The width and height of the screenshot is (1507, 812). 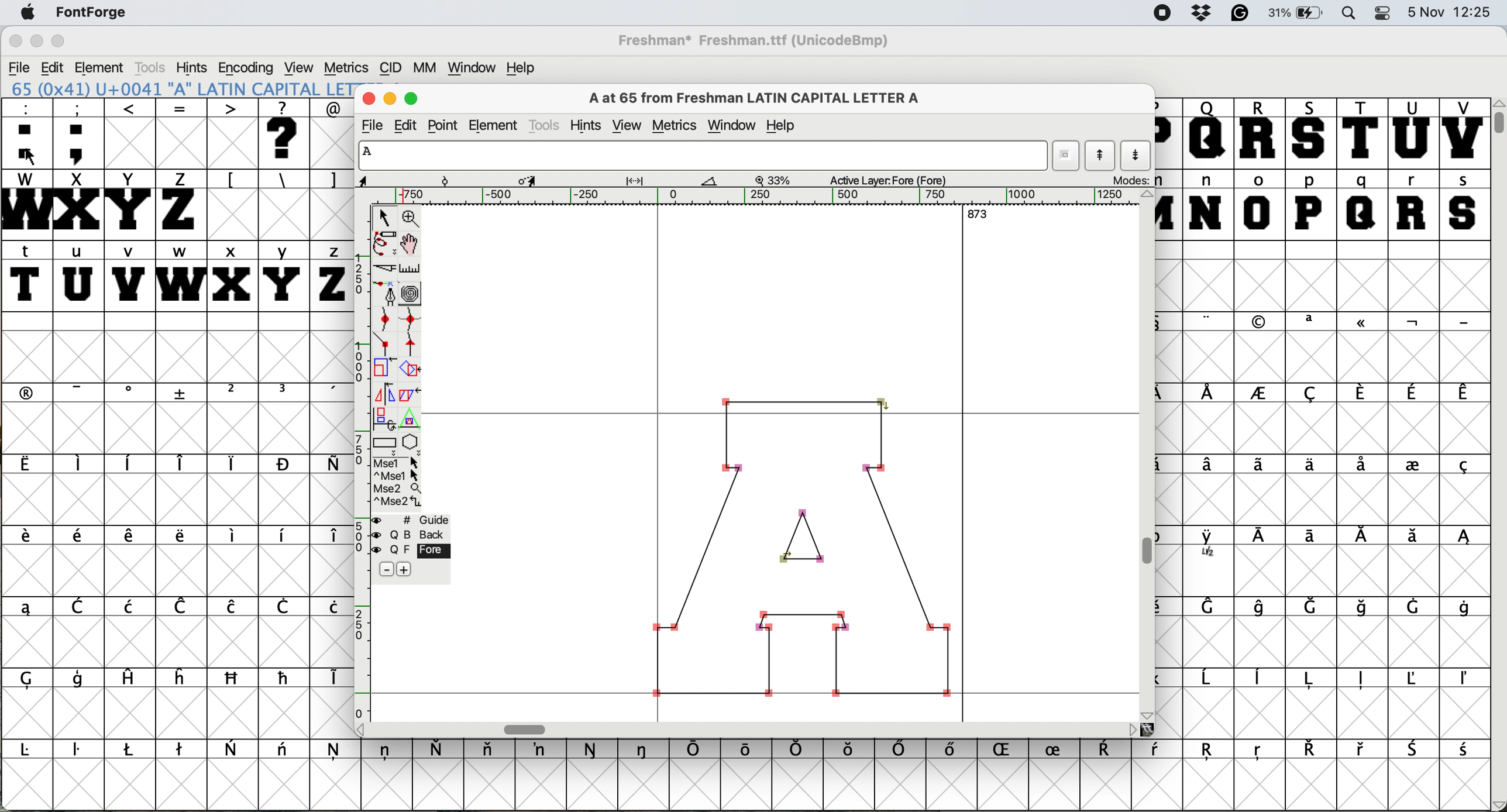 I want to click on symbol, so click(x=1210, y=466).